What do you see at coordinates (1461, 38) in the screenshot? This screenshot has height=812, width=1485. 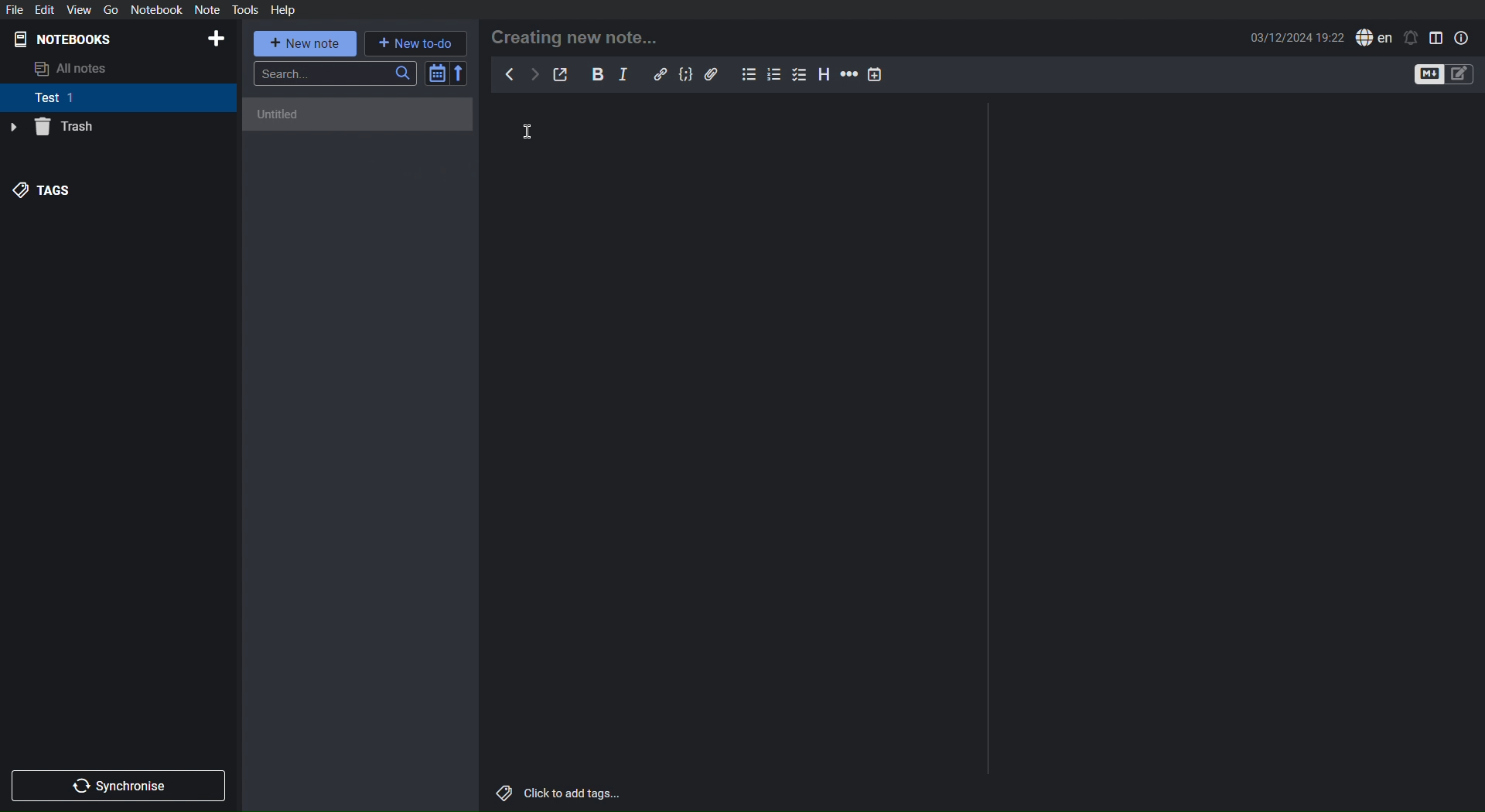 I see `Note Properties` at bounding box center [1461, 38].